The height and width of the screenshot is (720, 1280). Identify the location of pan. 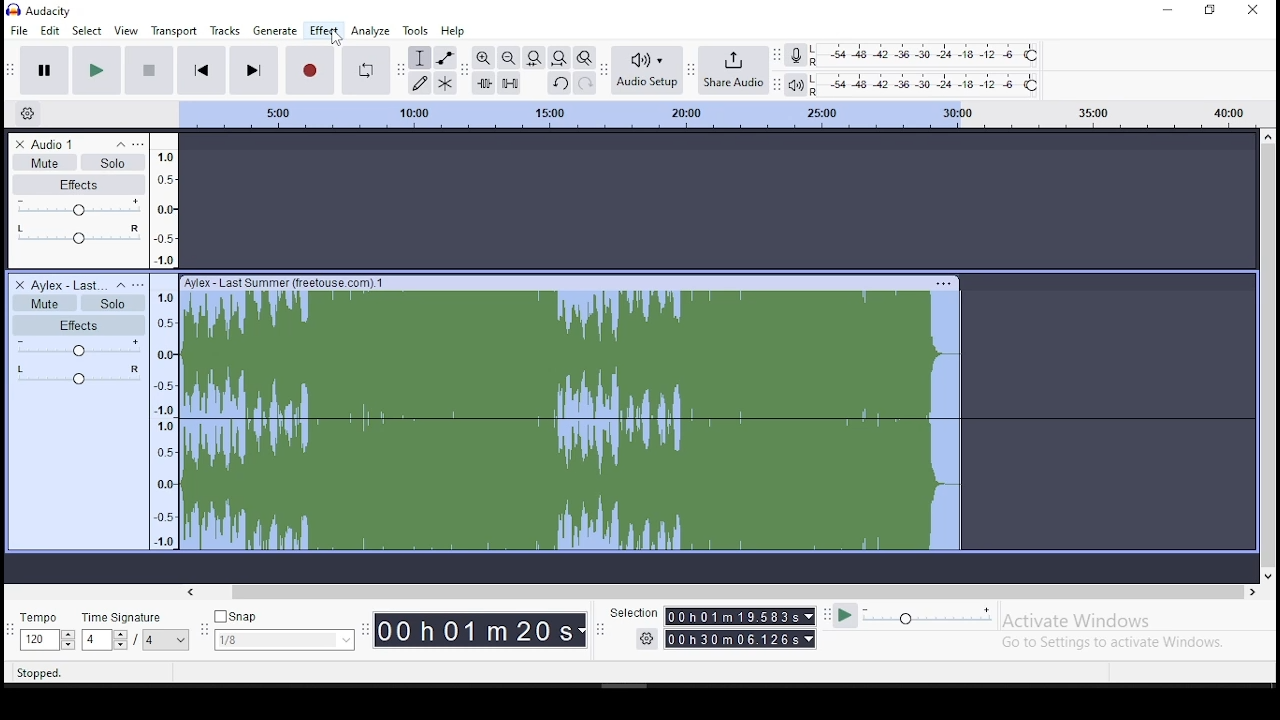
(80, 376).